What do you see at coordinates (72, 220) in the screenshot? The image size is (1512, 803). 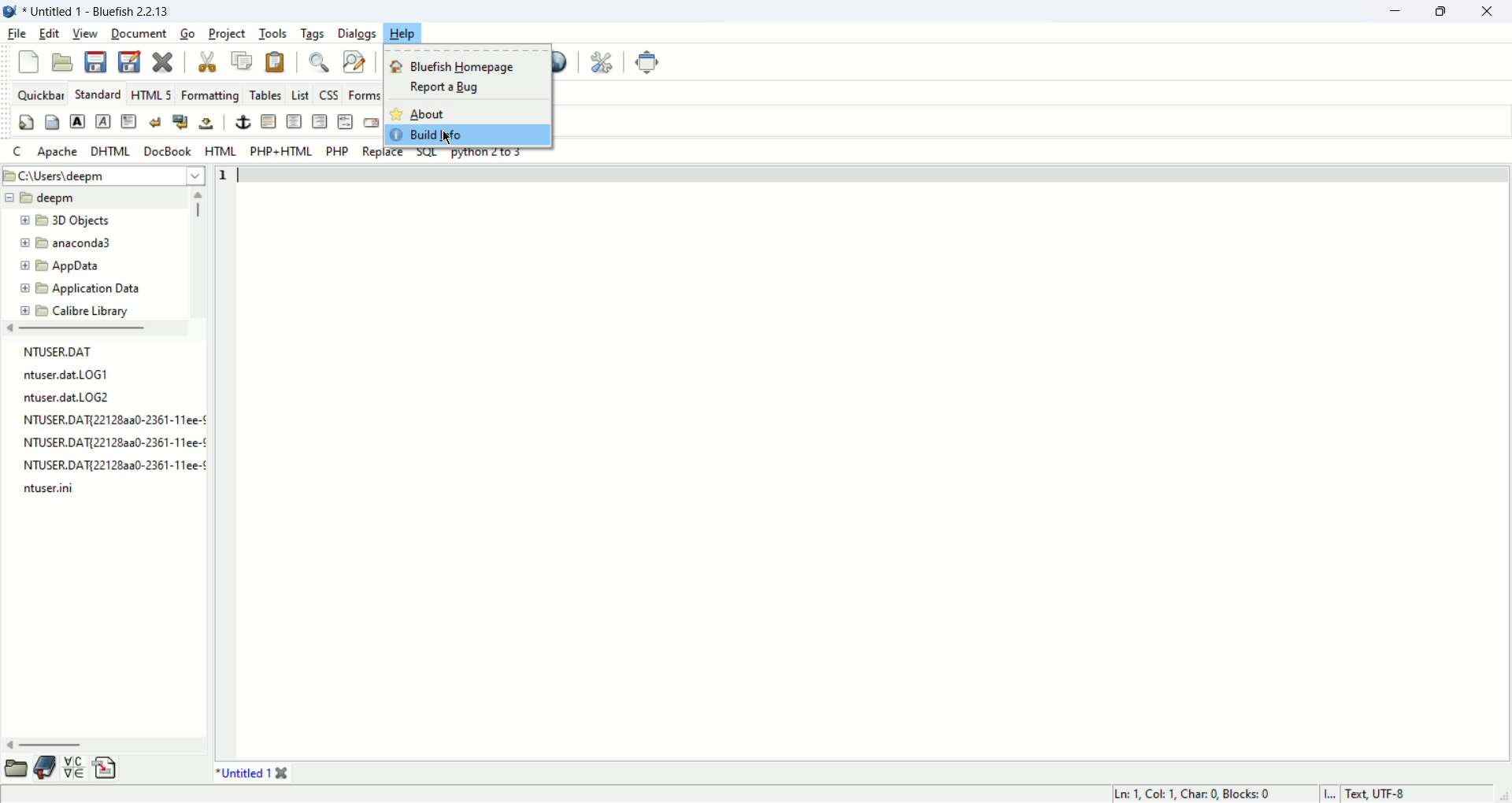 I see `folder name` at bounding box center [72, 220].